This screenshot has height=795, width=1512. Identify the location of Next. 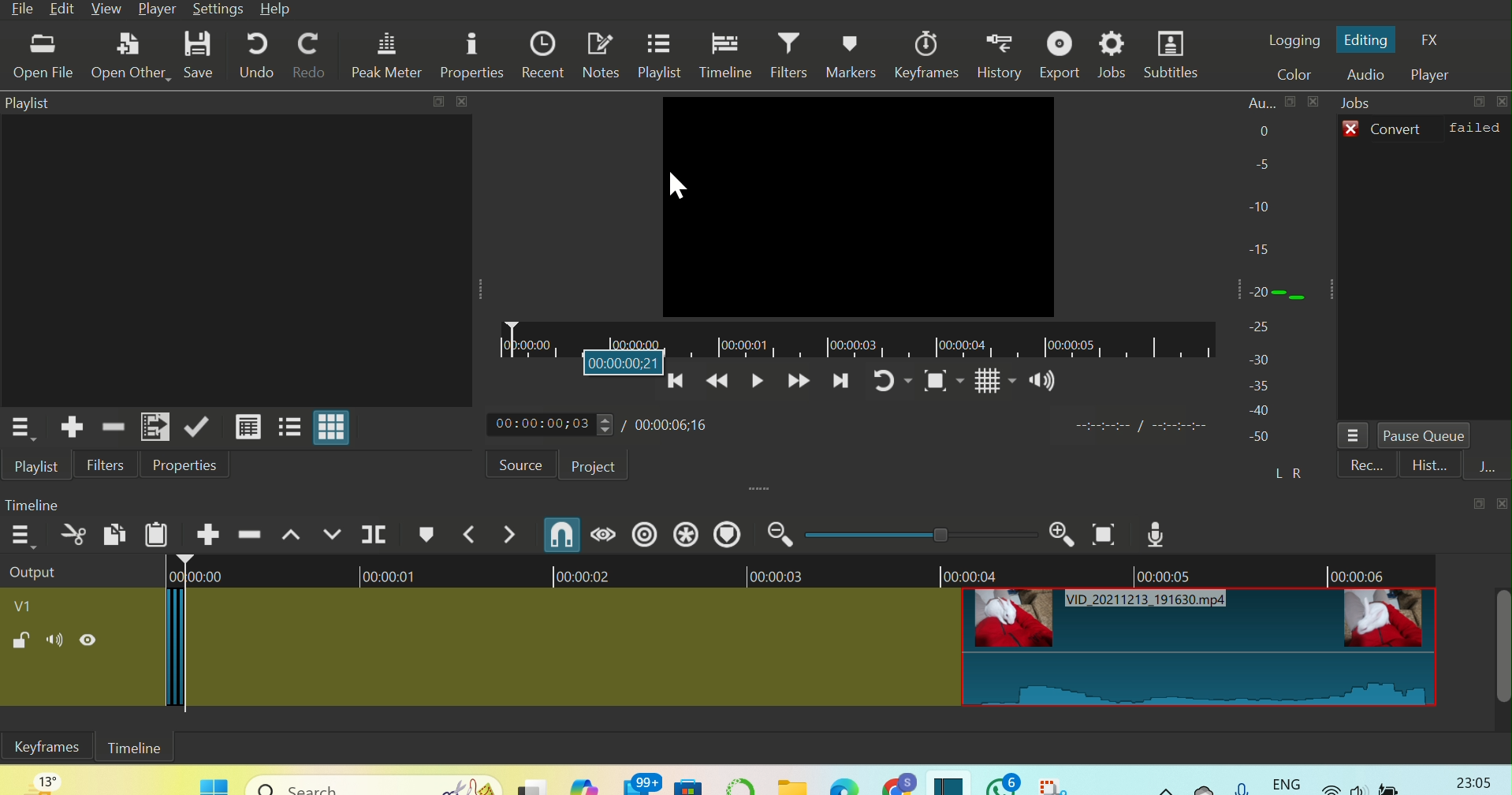
(837, 385).